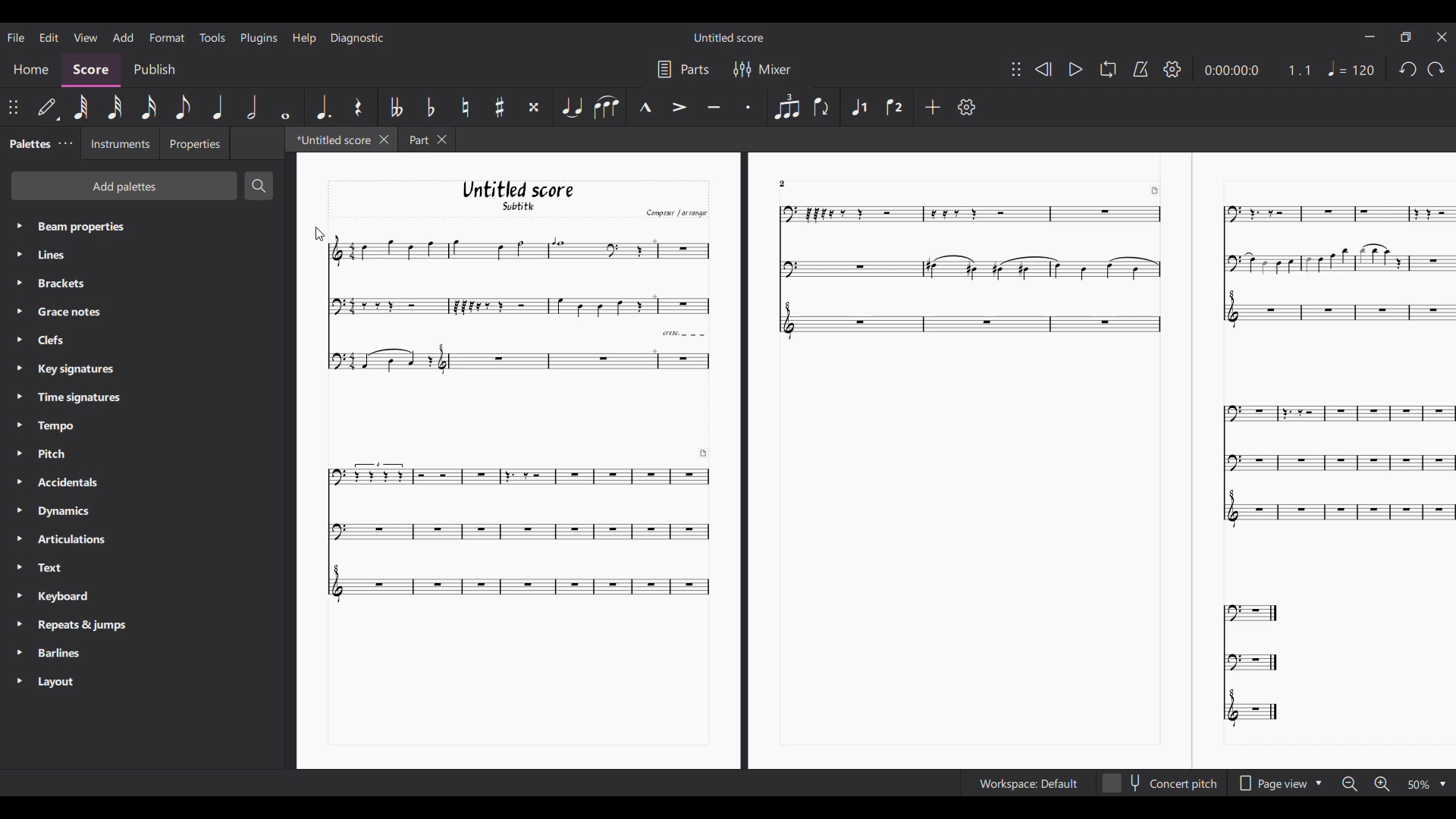  What do you see at coordinates (1370, 36) in the screenshot?
I see `Minimize` at bounding box center [1370, 36].